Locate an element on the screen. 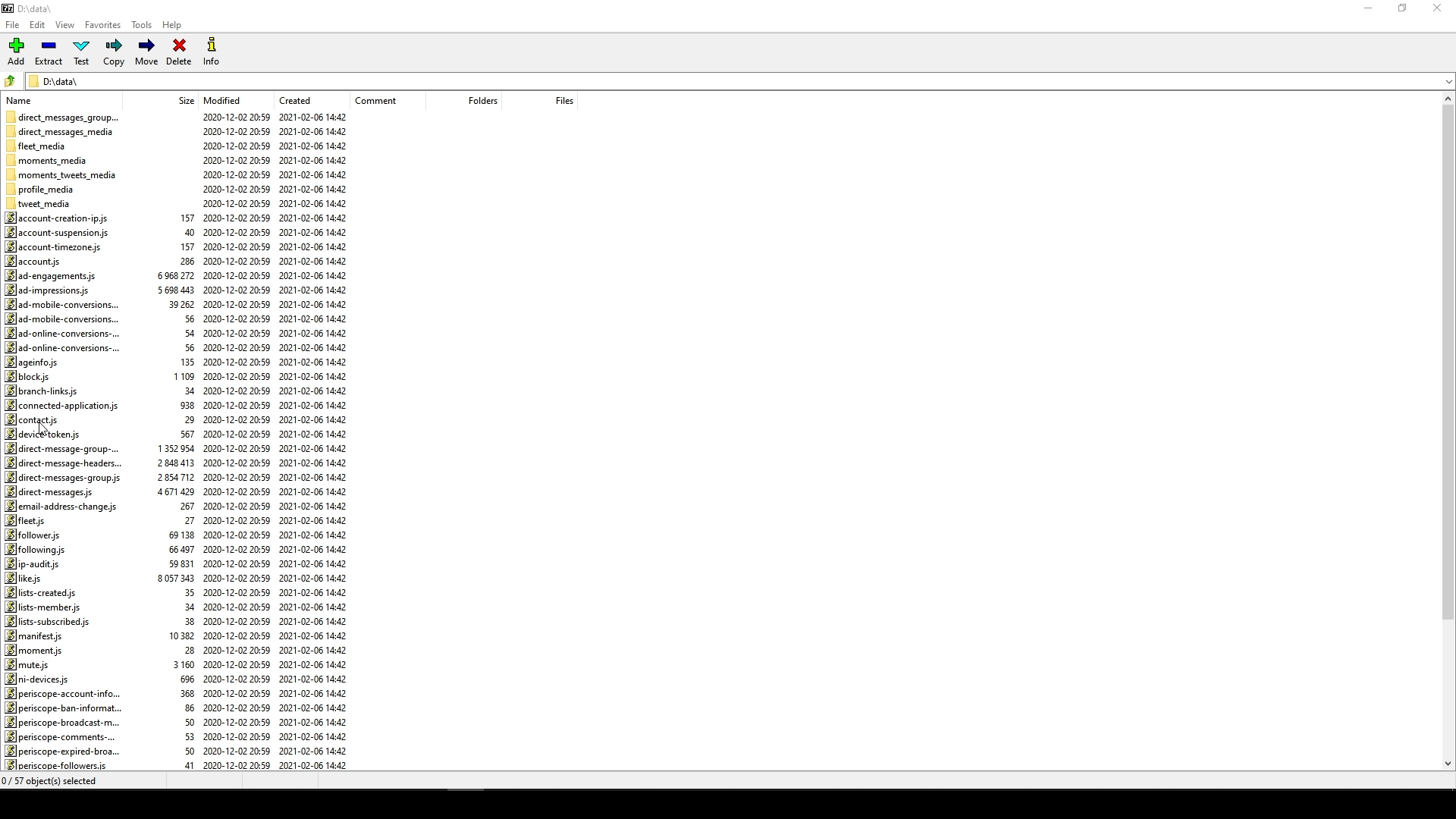  Extract is located at coordinates (51, 52).